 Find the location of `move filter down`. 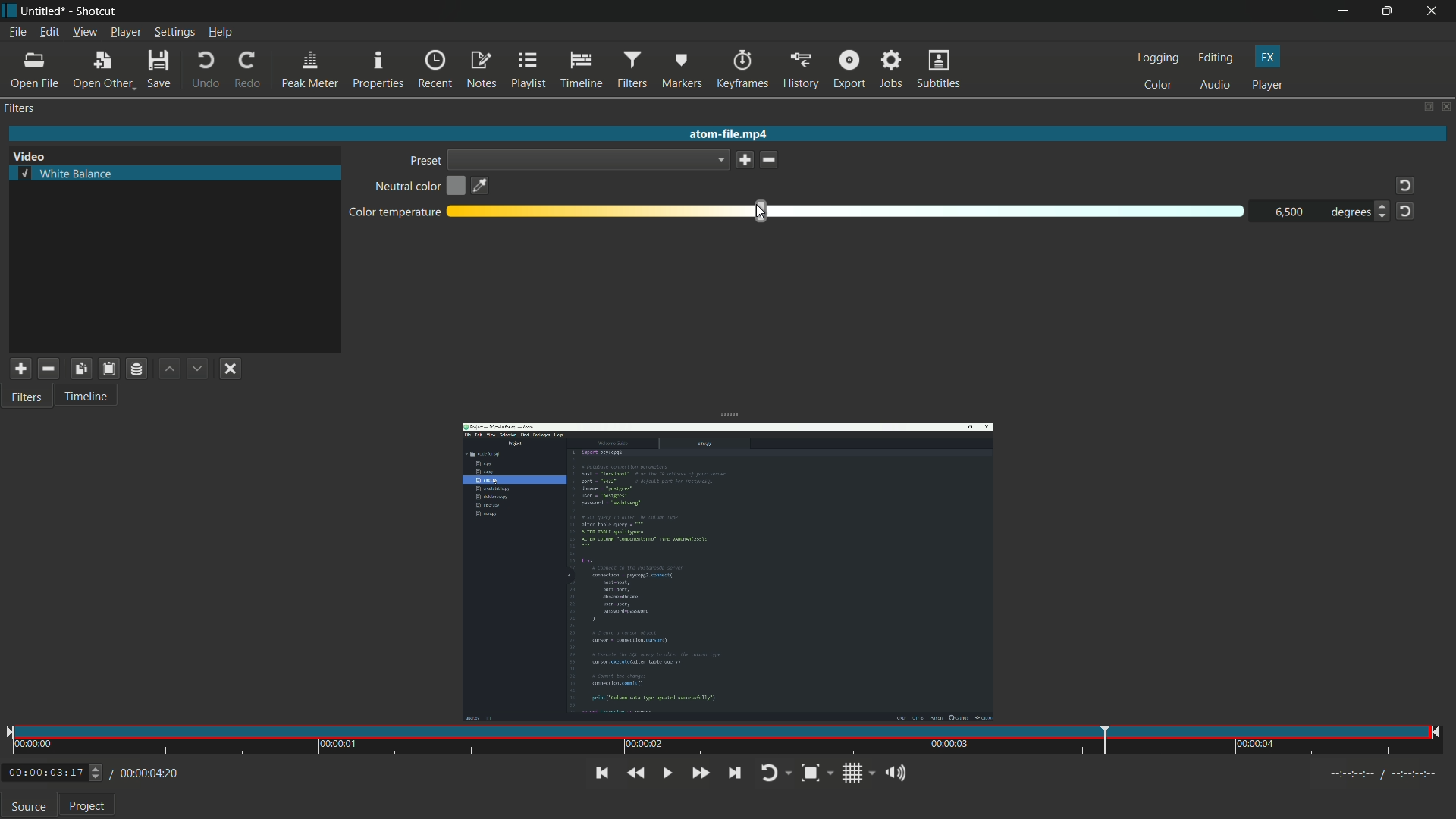

move filter down is located at coordinates (199, 369).